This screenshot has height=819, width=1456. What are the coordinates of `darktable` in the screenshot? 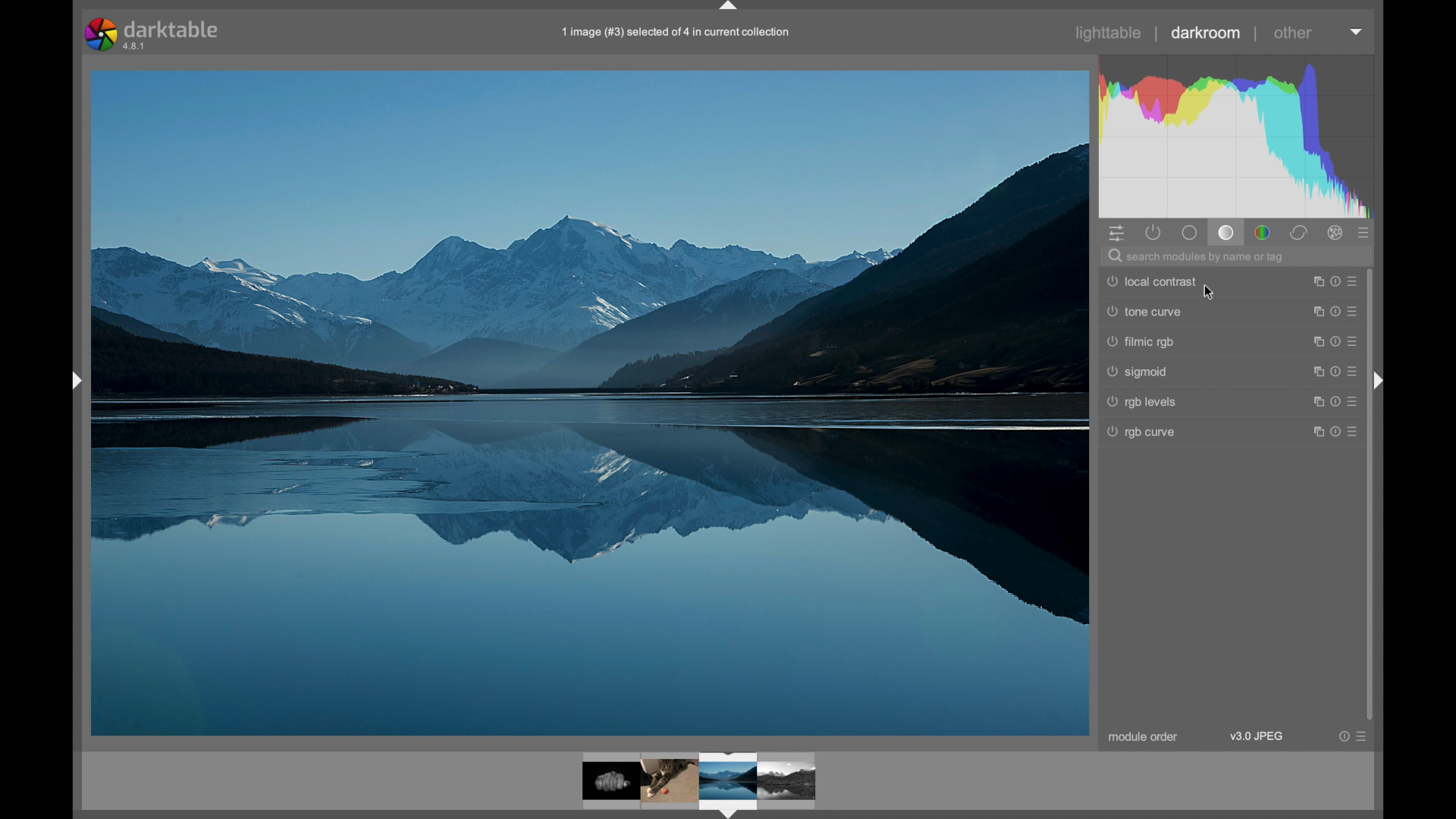 It's located at (154, 34).